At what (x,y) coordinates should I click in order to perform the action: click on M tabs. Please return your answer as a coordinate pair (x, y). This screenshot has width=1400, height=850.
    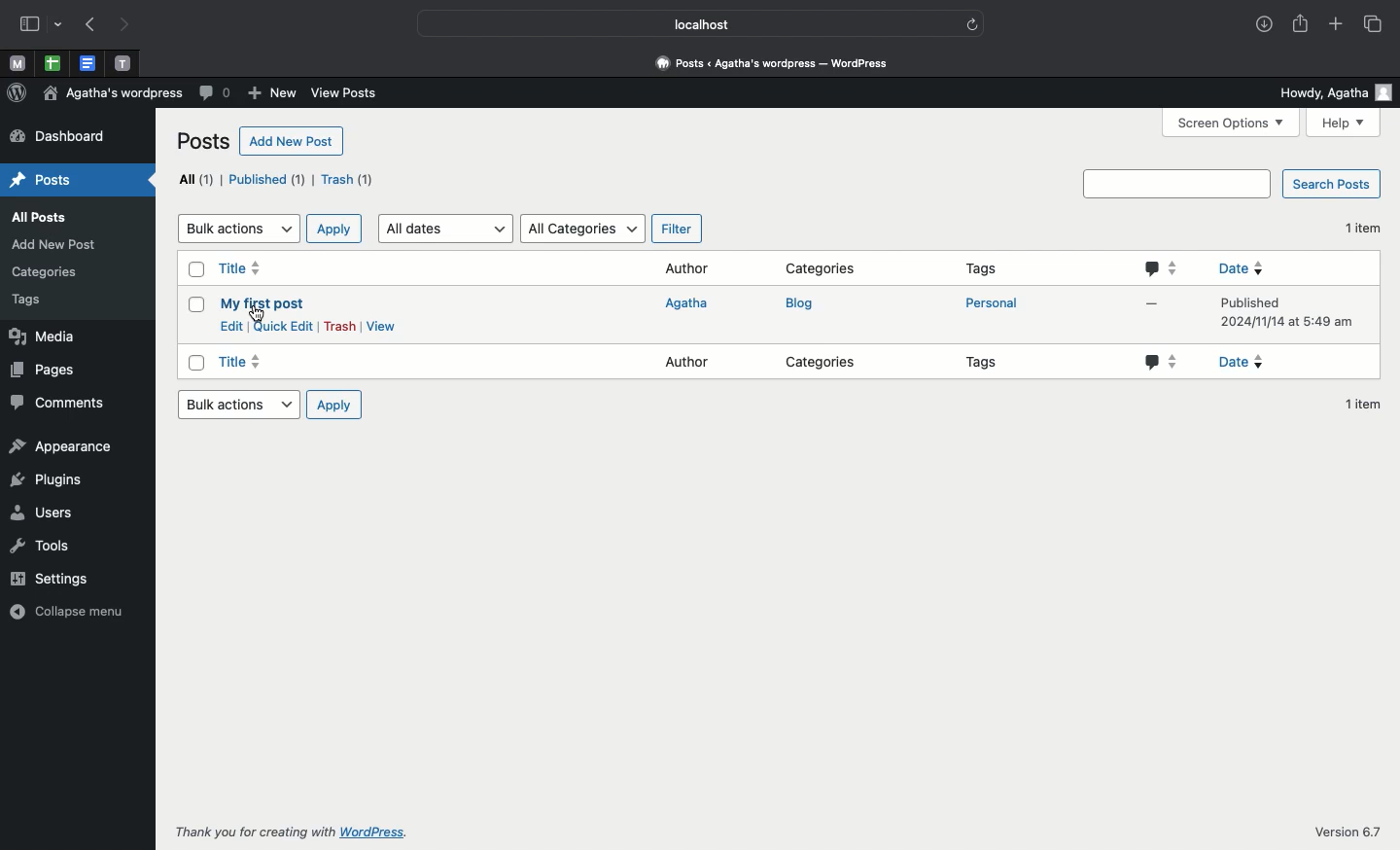
    Looking at the image, I should click on (15, 62).